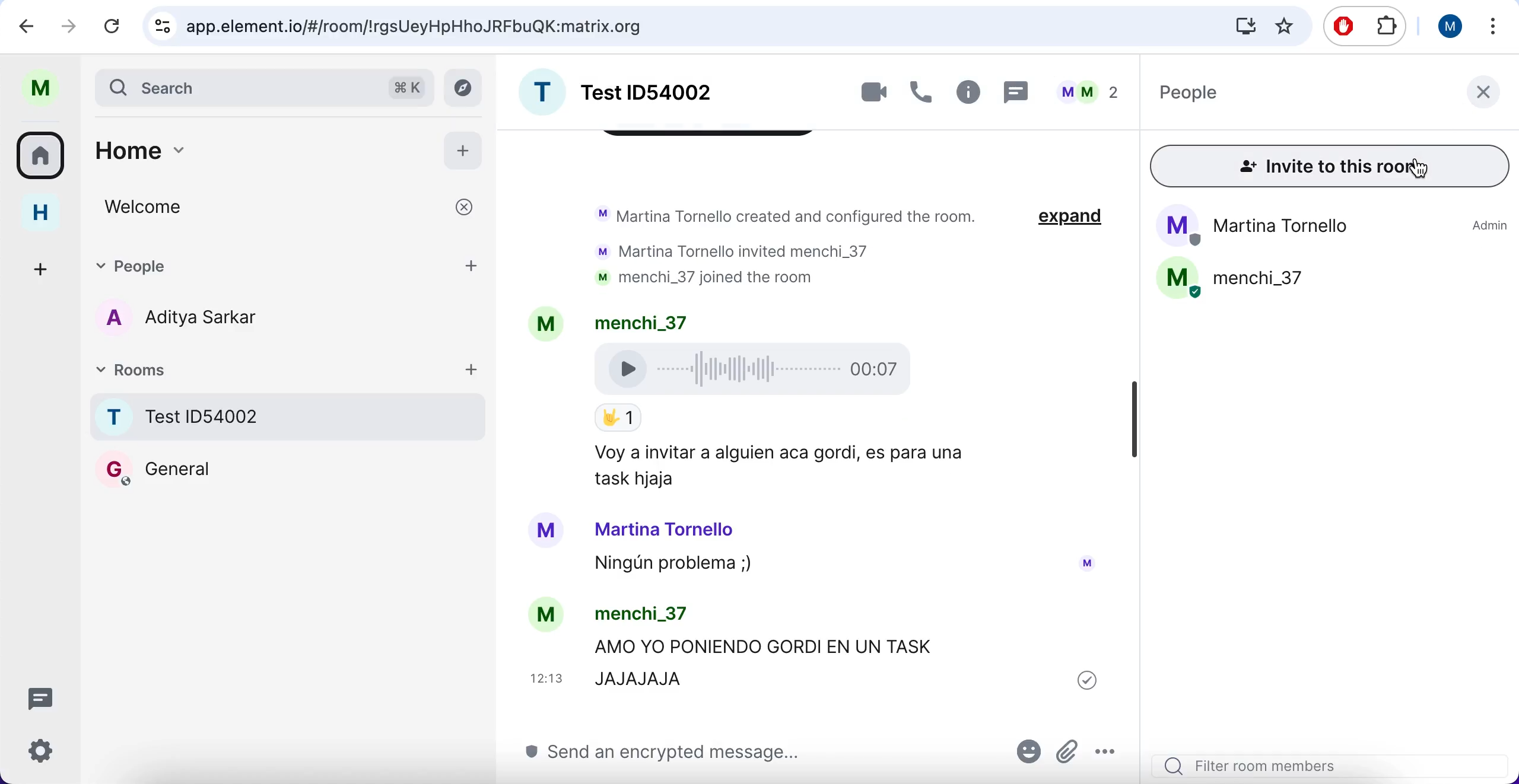 The image size is (1519, 784). Describe the element at coordinates (1336, 761) in the screenshot. I see `search filter` at that location.